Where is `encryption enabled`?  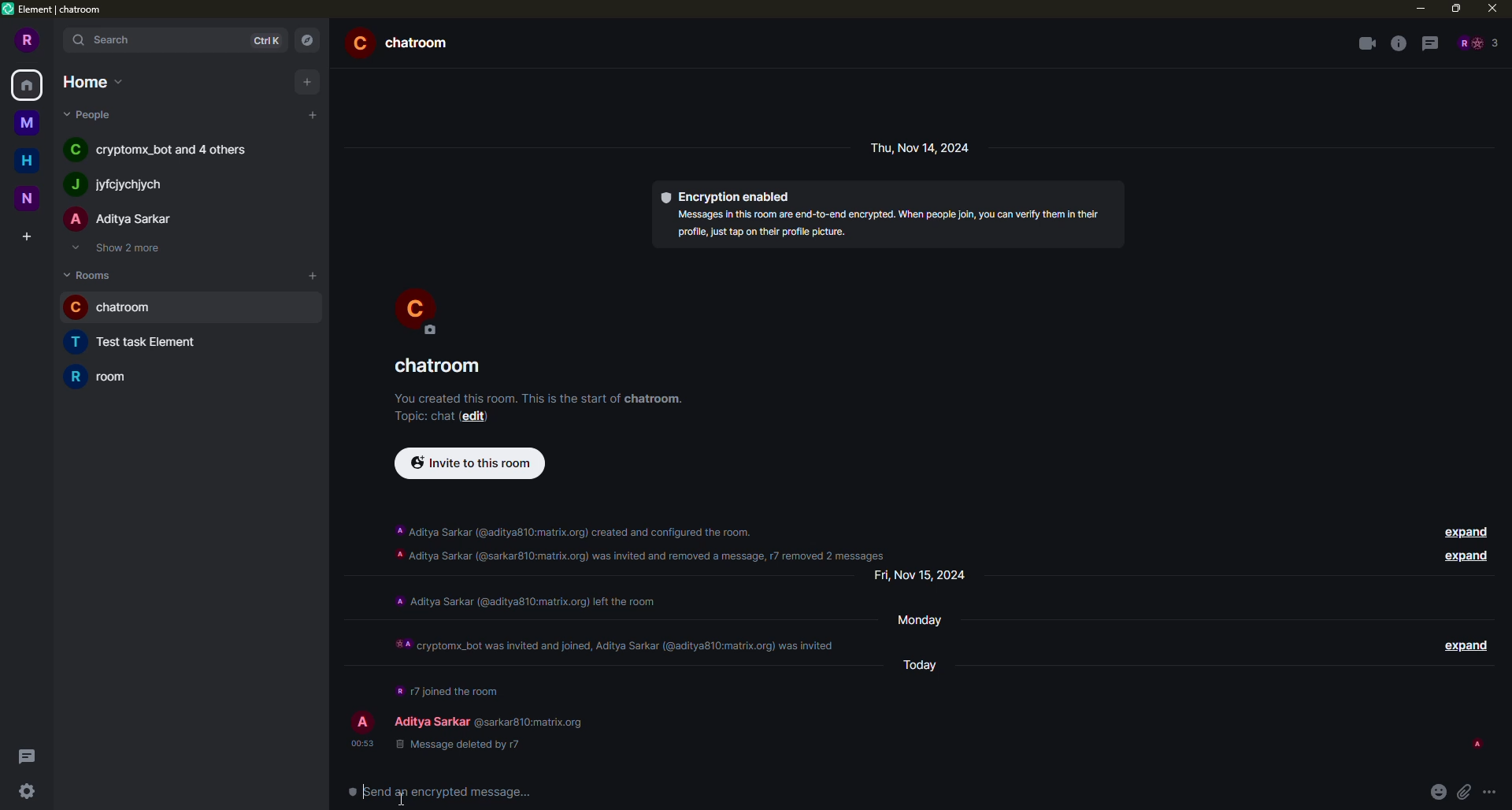
encryption enabled is located at coordinates (728, 195).